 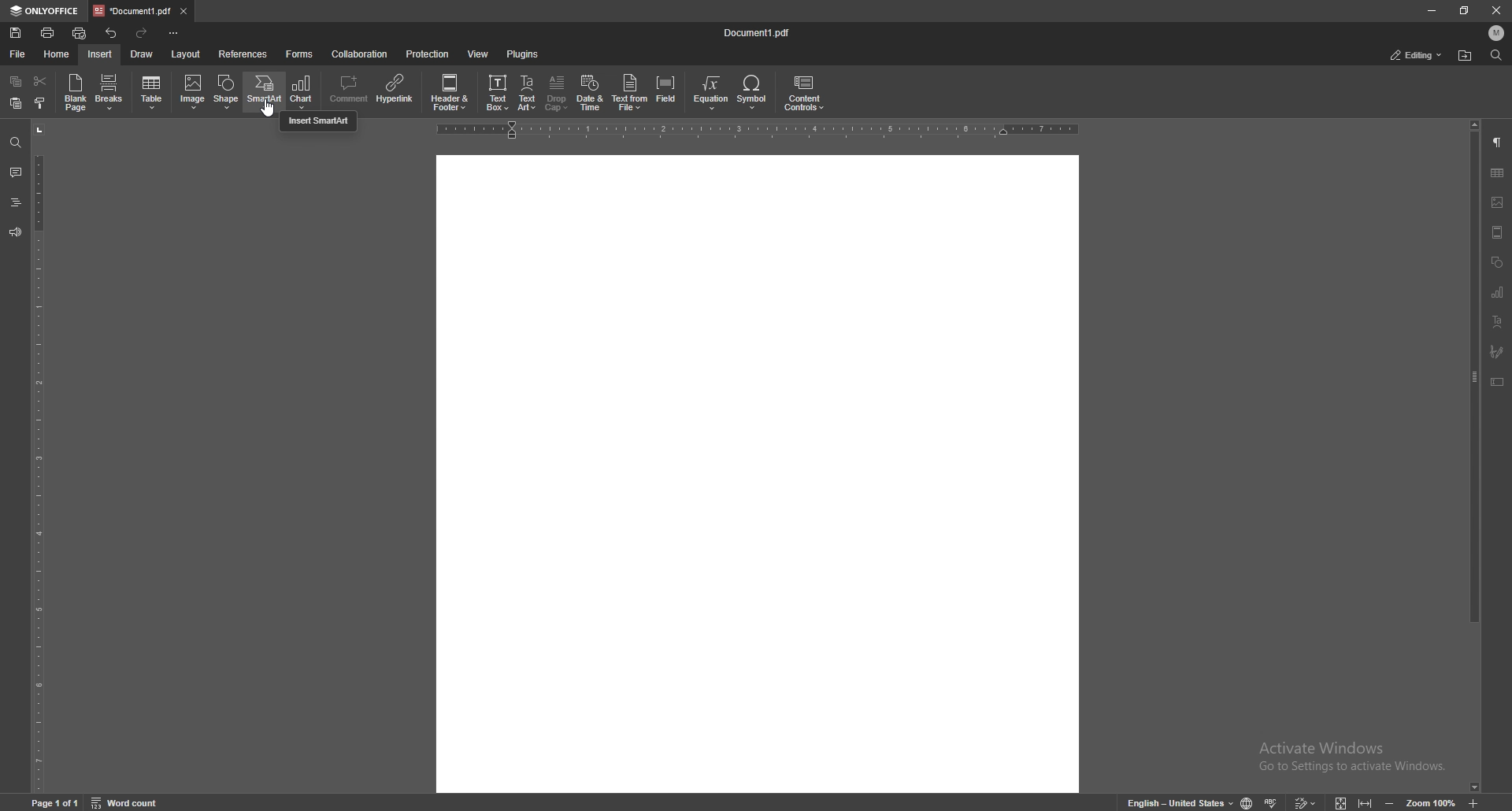 I want to click on close tab, so click(x=185, y=10).